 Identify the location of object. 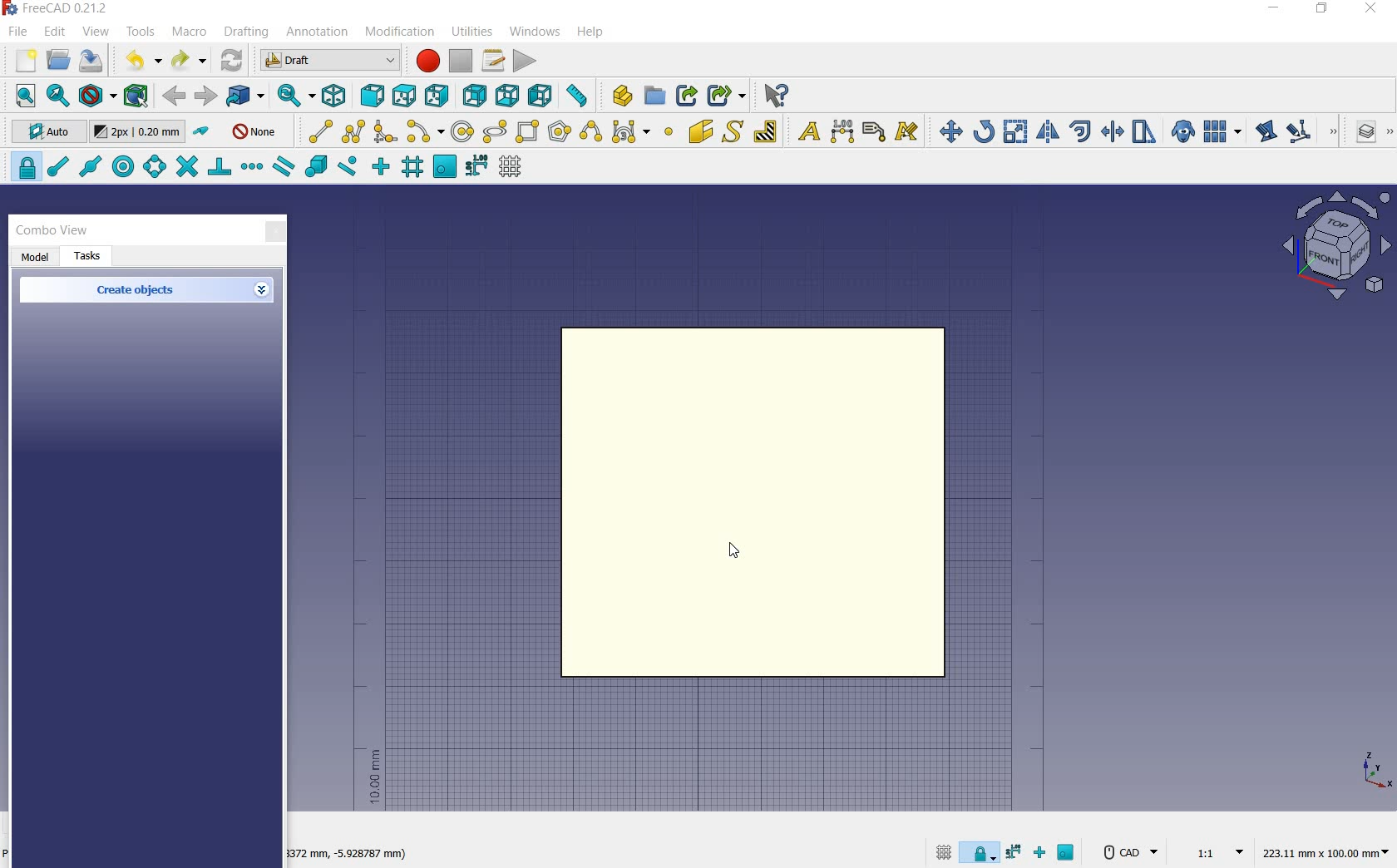
(760, 504).